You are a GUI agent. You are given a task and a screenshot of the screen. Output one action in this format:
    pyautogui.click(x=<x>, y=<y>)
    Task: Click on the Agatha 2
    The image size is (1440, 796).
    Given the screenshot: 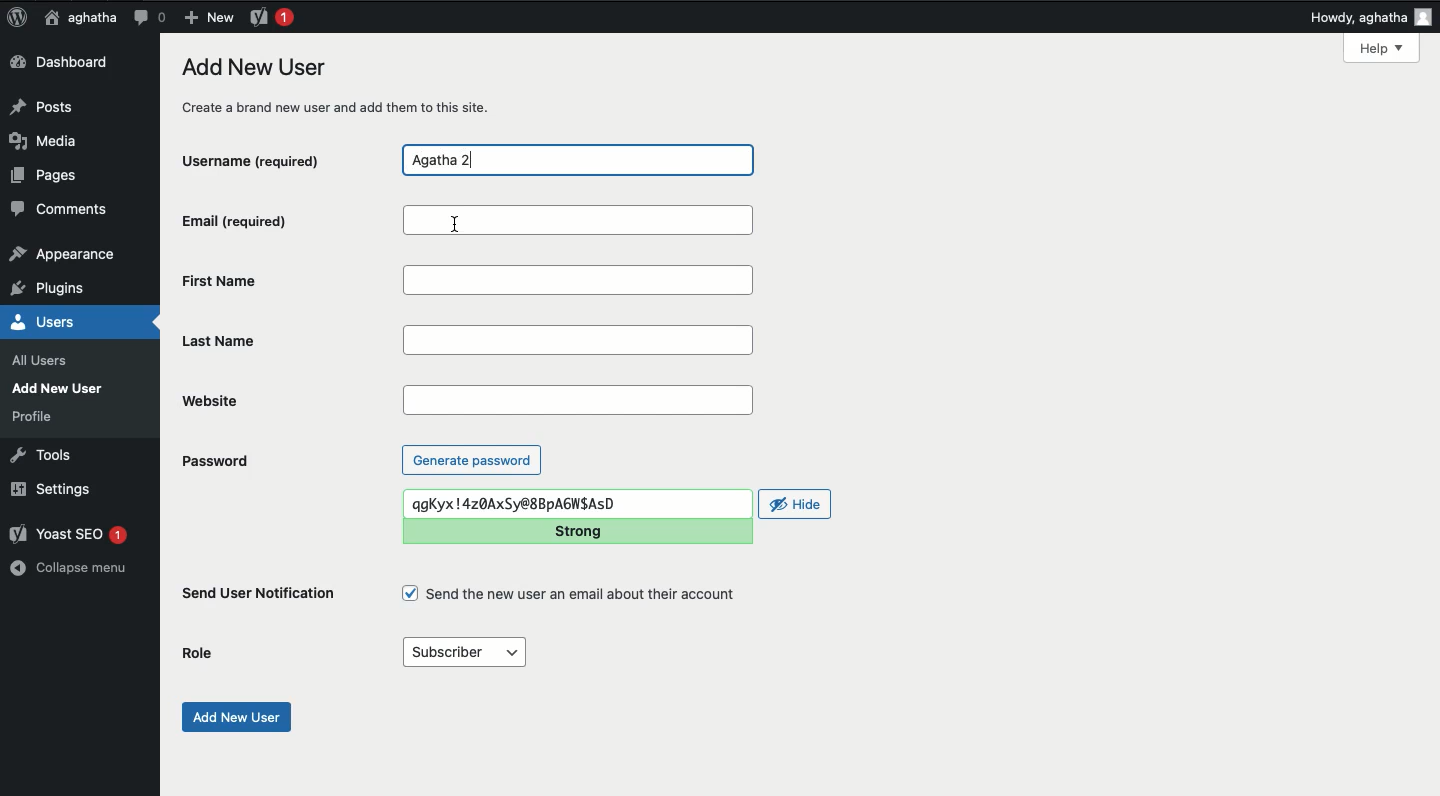 What is the action you would take?
    pyautogui.click(x=577, y=161)
    